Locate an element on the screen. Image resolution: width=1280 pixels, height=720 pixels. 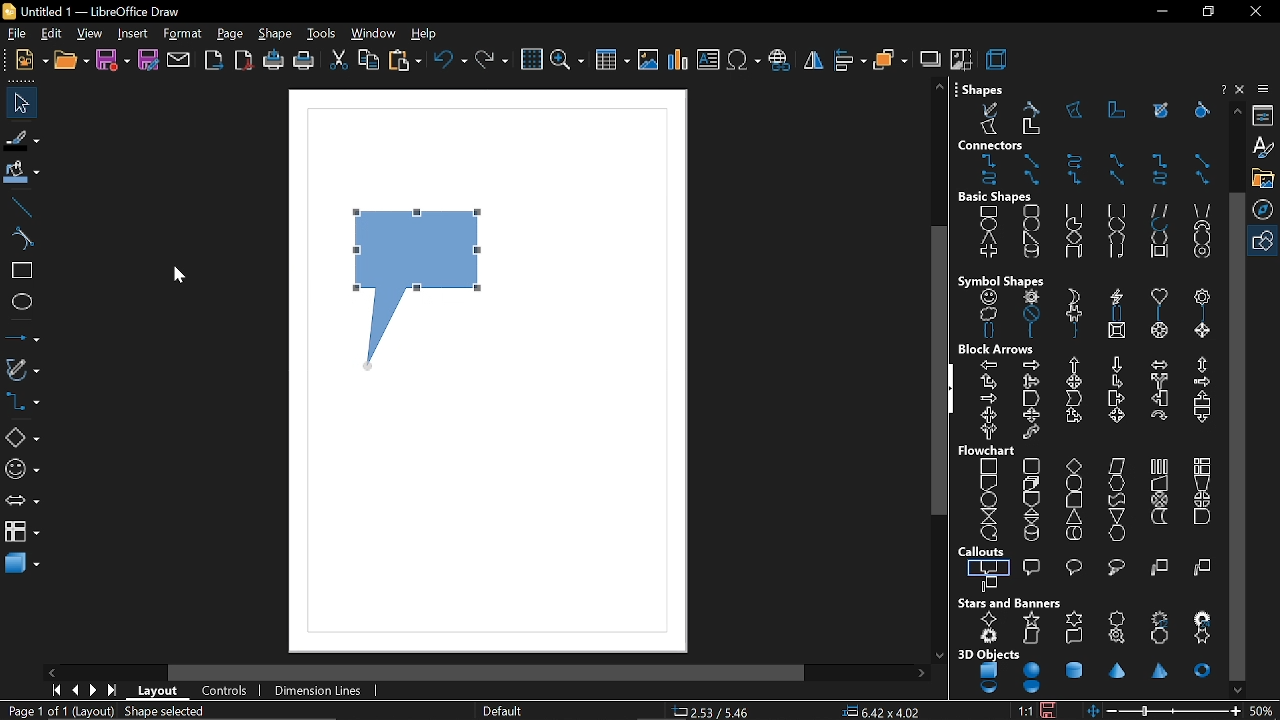
isosceles triangle is located at coordinates (988, 239).